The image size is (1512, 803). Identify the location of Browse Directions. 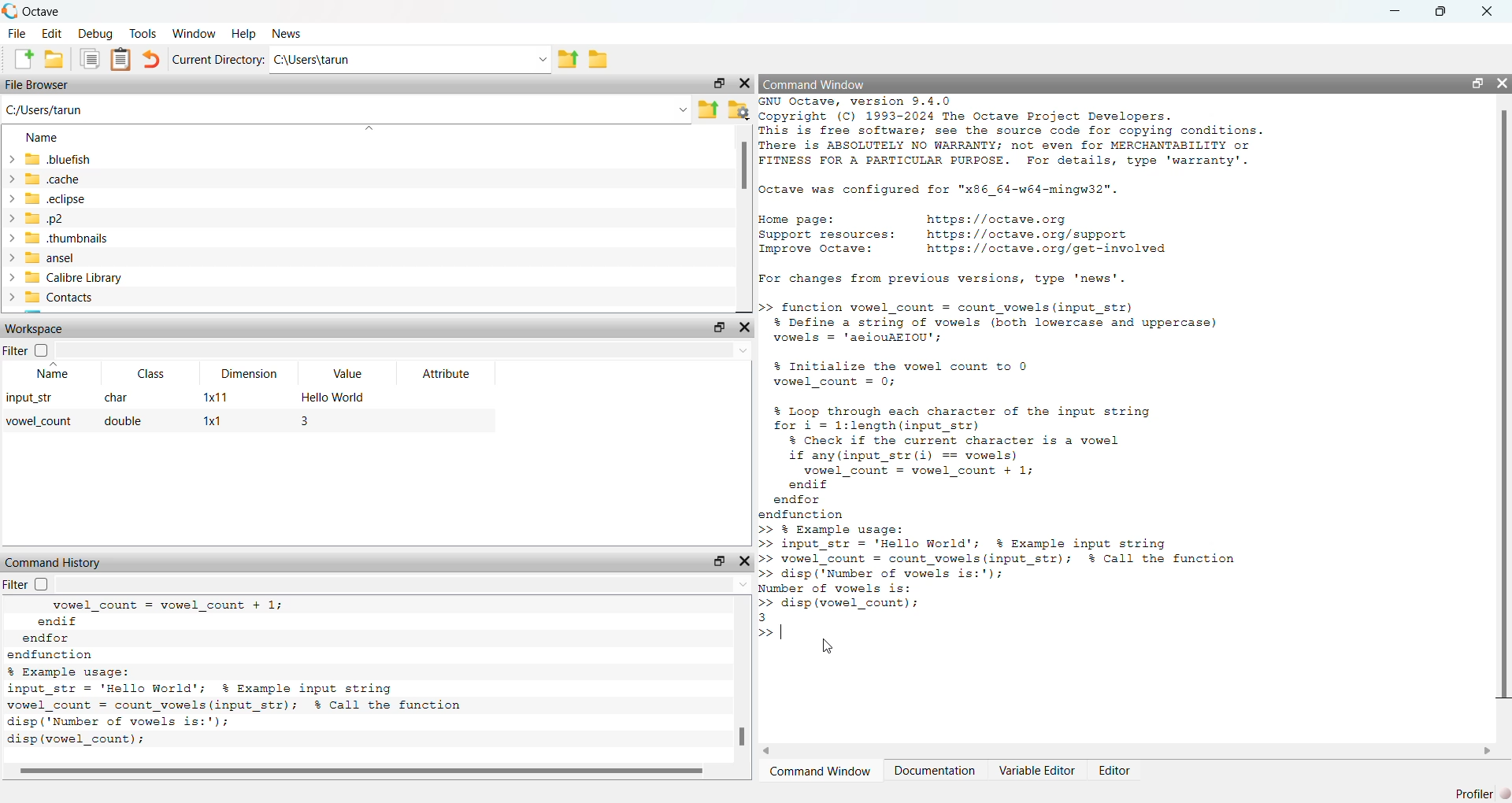
(598, 58).